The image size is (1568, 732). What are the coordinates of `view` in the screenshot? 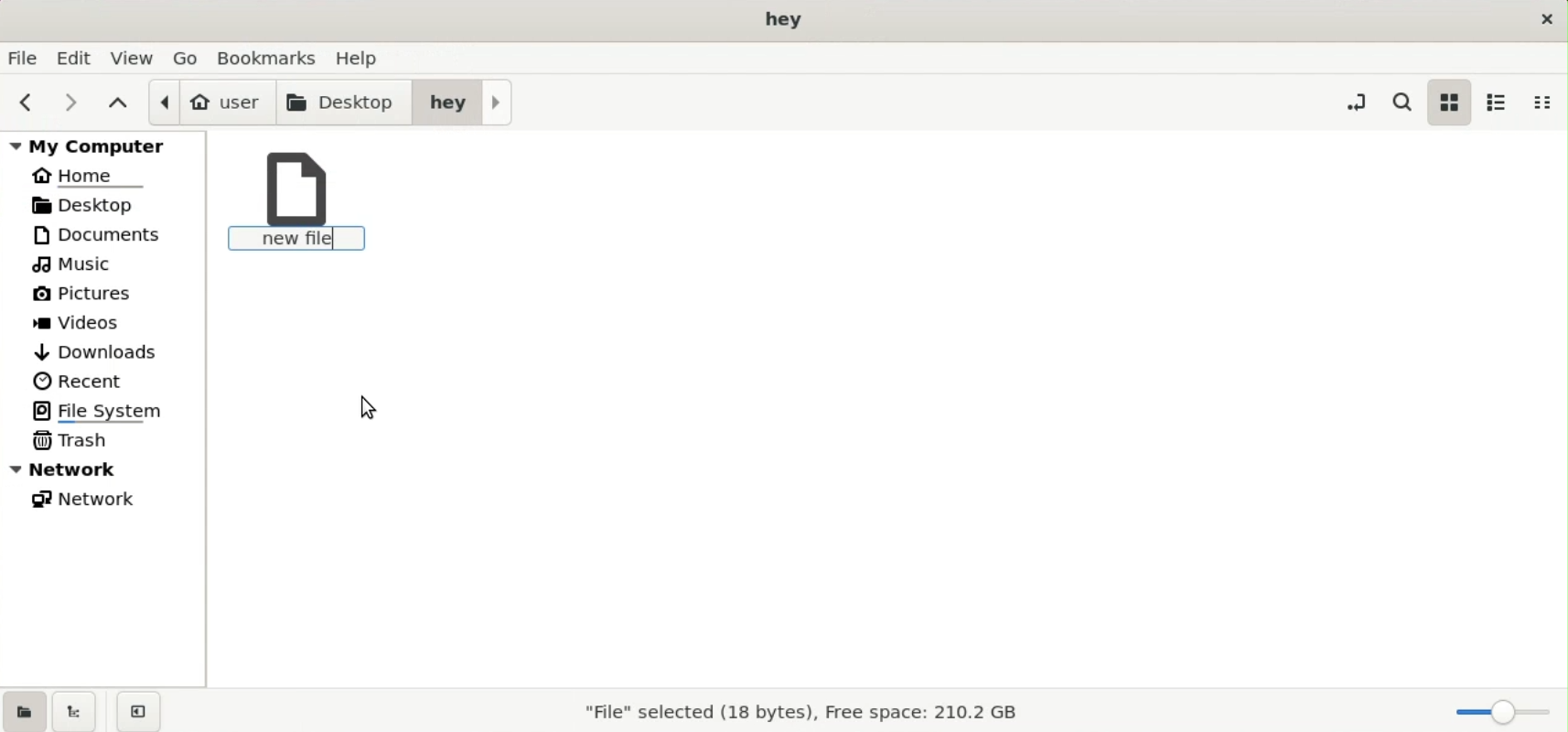 It's located at (134, 57).